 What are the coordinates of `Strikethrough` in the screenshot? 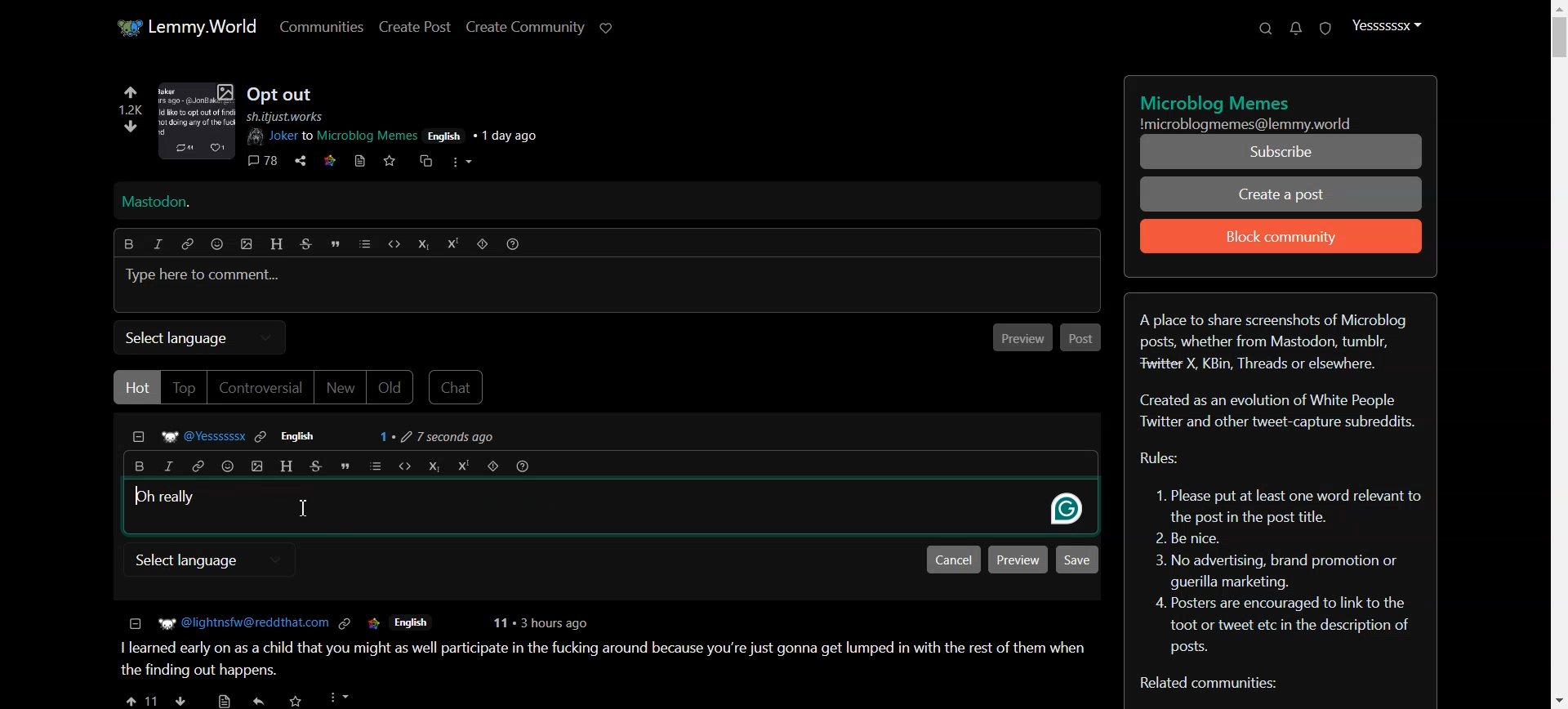 It's located at (313, 466).